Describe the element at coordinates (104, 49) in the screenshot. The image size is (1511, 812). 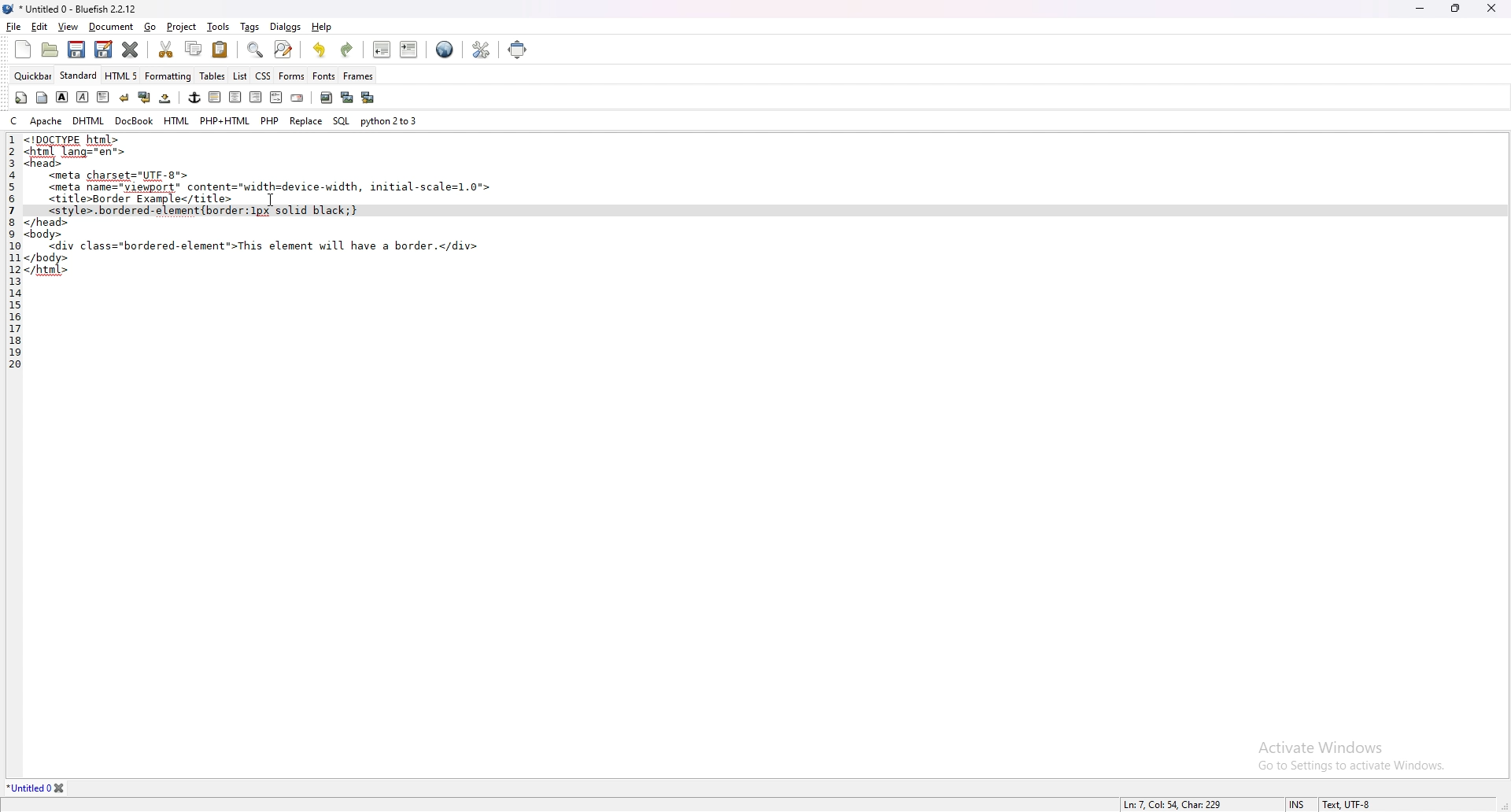
I see `save file as` at that location.